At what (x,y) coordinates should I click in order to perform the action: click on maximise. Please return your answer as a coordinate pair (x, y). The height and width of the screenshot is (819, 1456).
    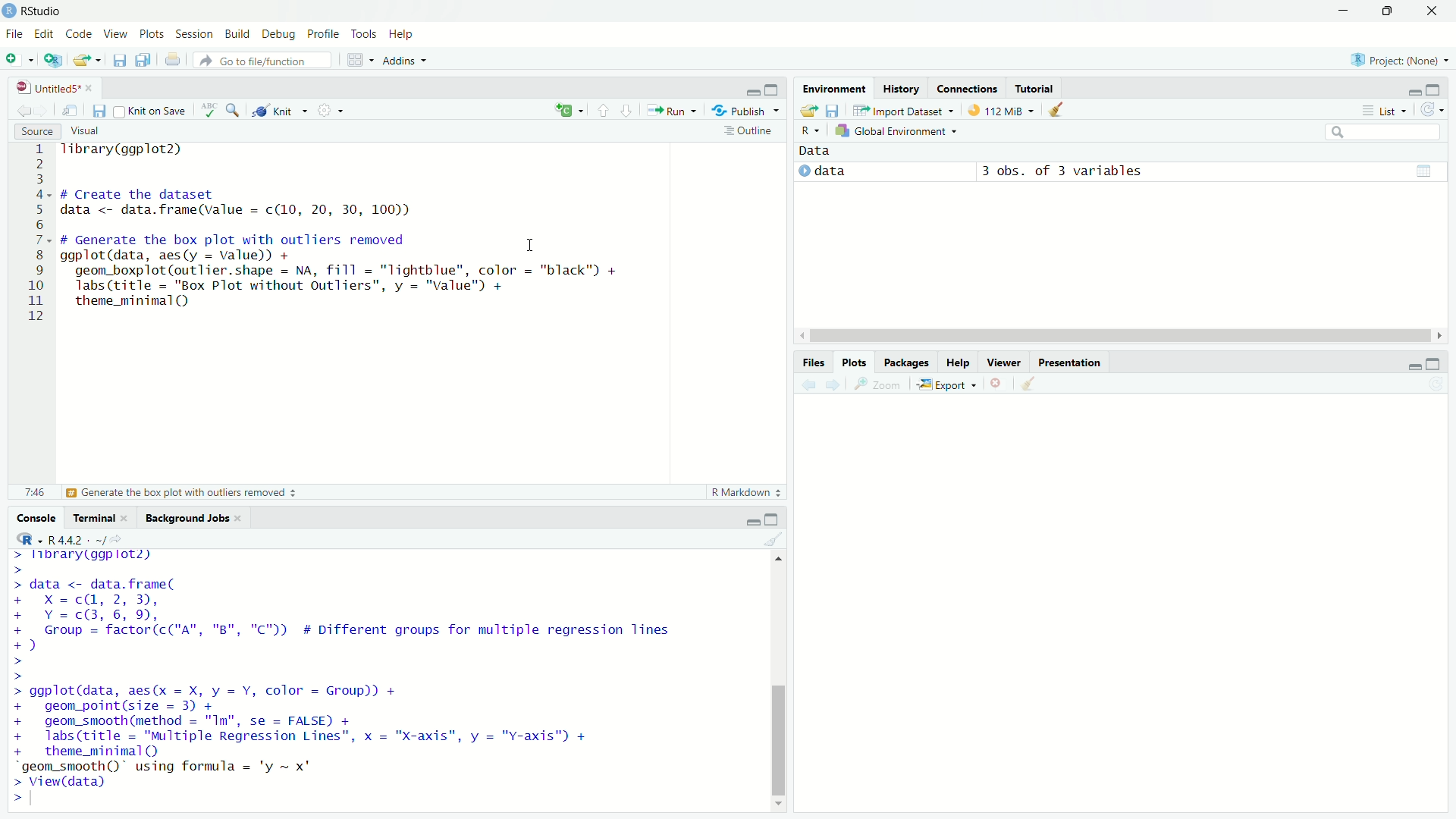
    Looking at the image, I should click on (777, 516).